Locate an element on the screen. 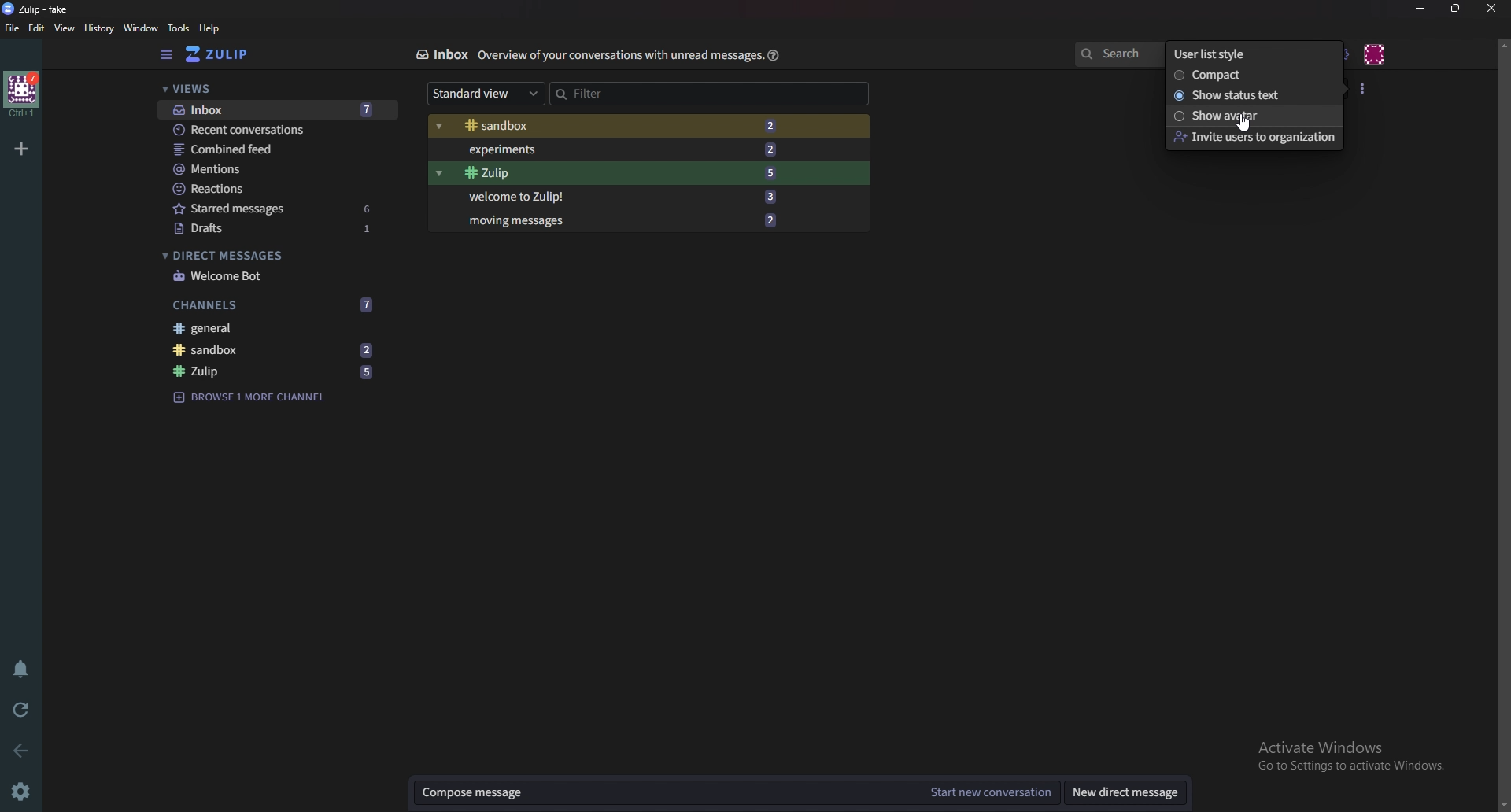 Image resolution: width=1511 pixels, height=812 pixels. user list style is located at coordinates (1246, 55).